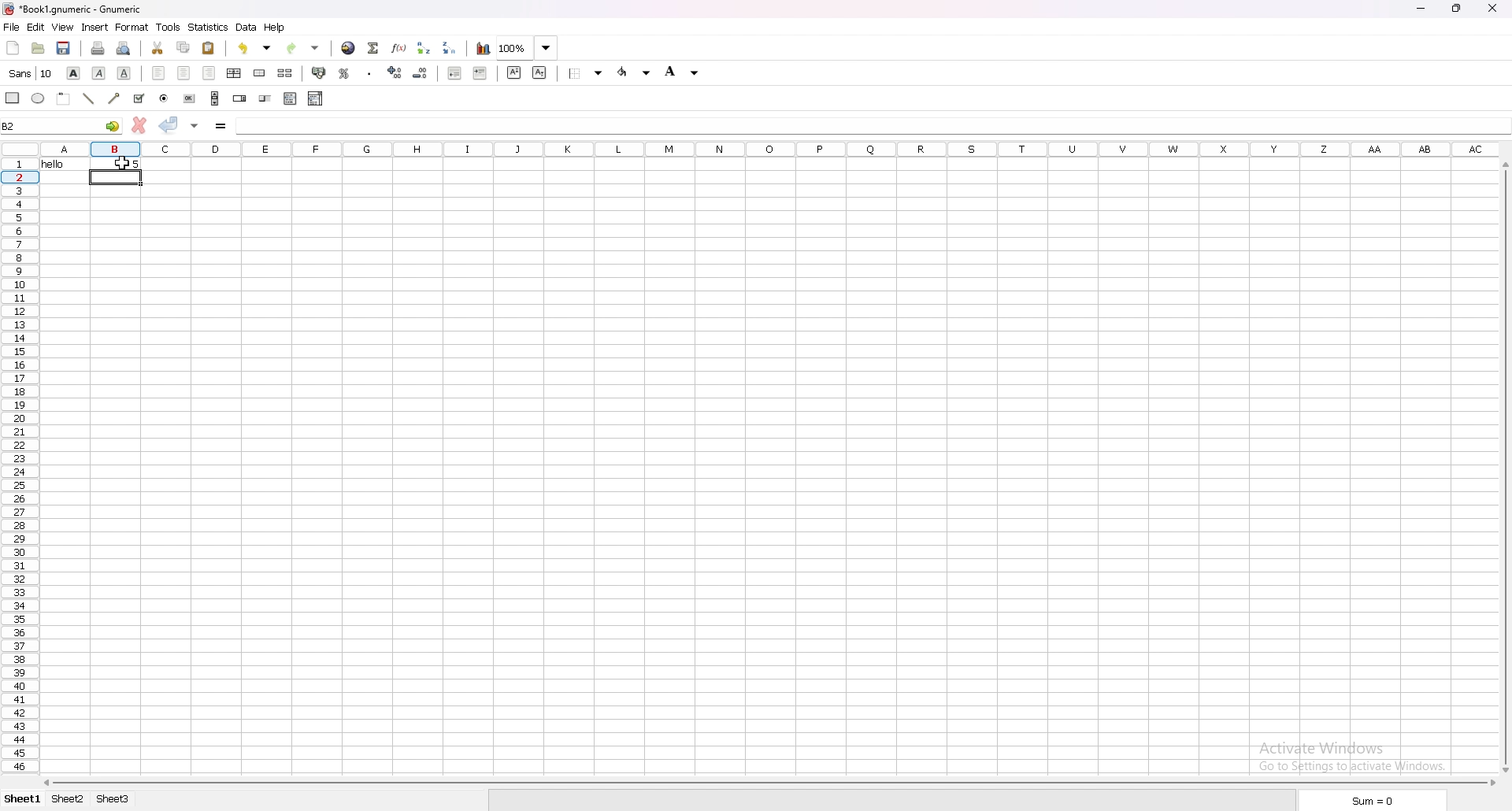 The image size is (1512, 811). What do you see at coordinates (183, 72) in the screenshot?
I see `center` at bounding box center [183, 72].